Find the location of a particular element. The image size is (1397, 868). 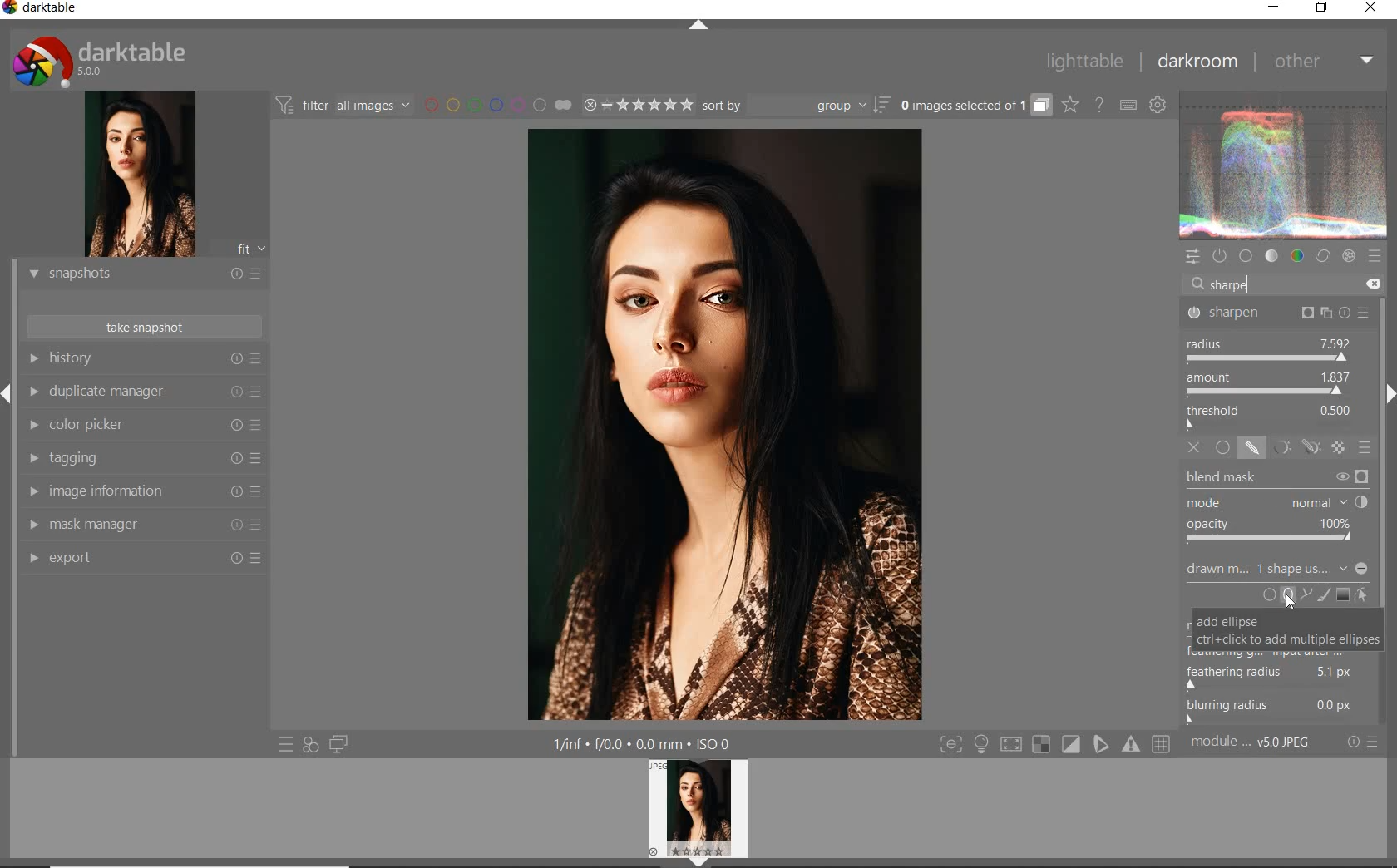

toggle modes is located at coordinates (951, 745).